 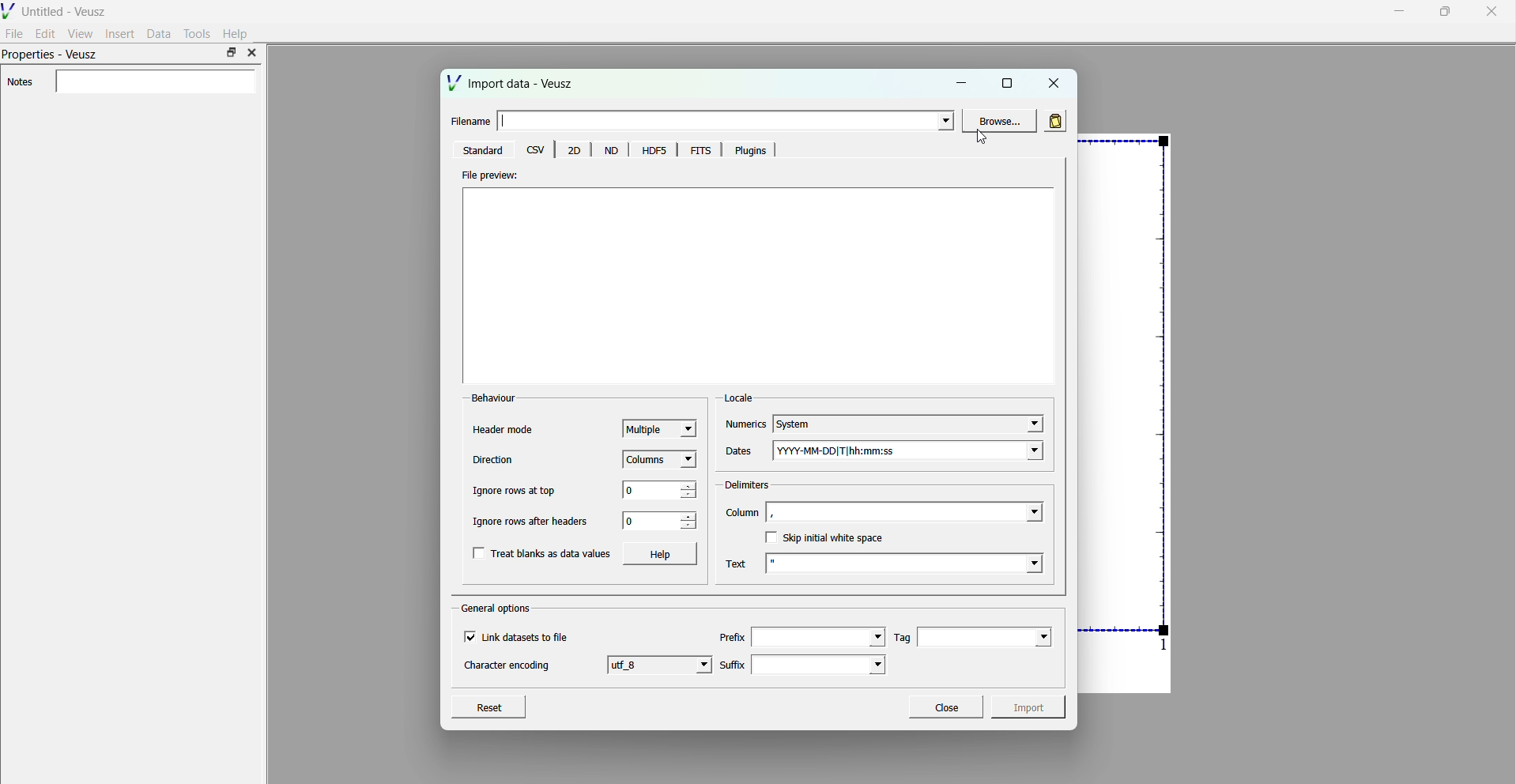 What do you see at coordinates (1491, 13) in the screenshot?
I see `close` at bounding box center [1491, 13].